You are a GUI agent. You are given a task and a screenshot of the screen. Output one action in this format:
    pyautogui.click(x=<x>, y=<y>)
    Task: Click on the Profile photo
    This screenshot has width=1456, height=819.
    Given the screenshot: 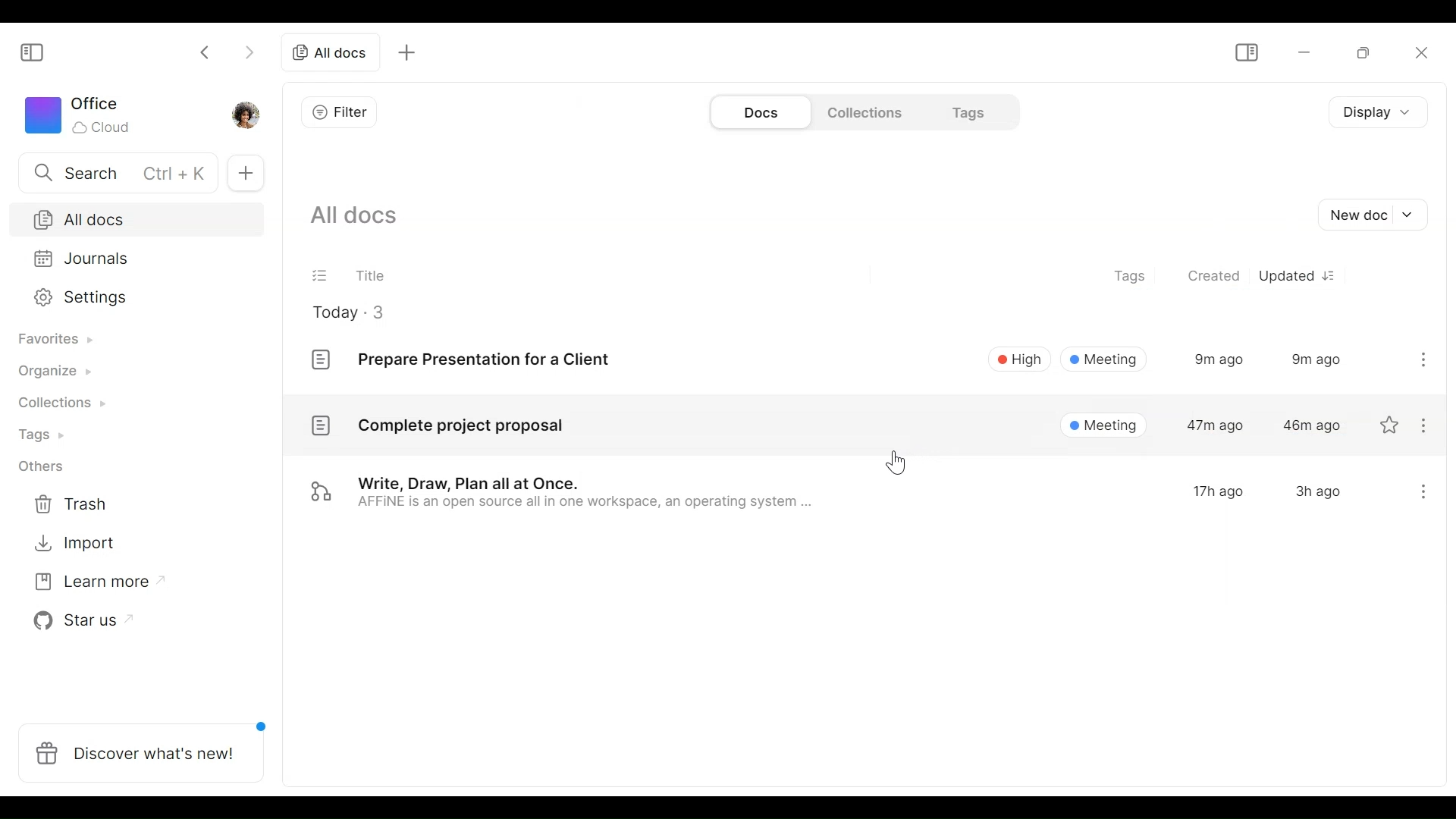 What is the action you would take?
    pyautogui.click(x=244, y=115)
    